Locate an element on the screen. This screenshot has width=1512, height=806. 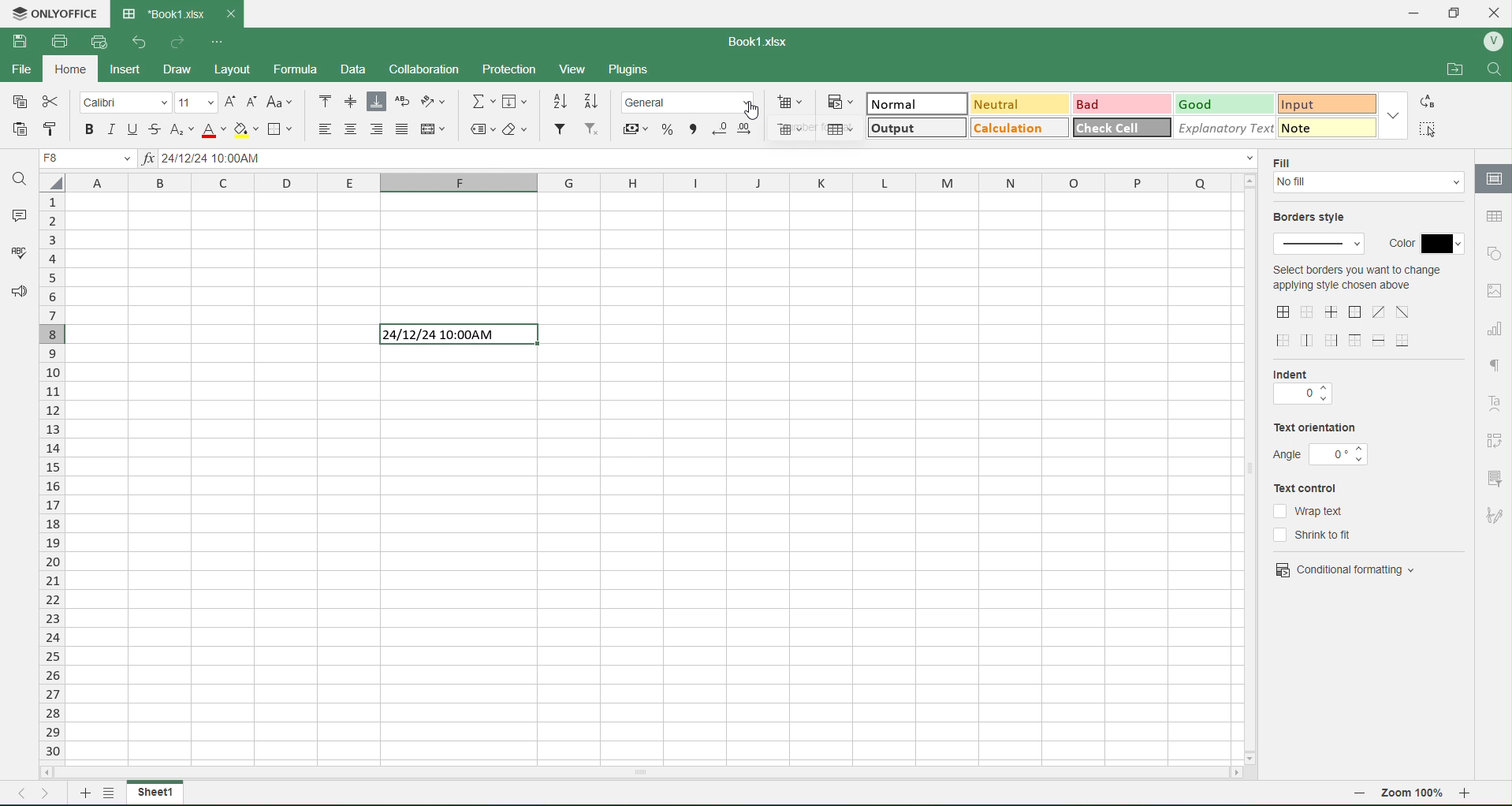
Decrement Font Size is located at coordinates (252, 100).